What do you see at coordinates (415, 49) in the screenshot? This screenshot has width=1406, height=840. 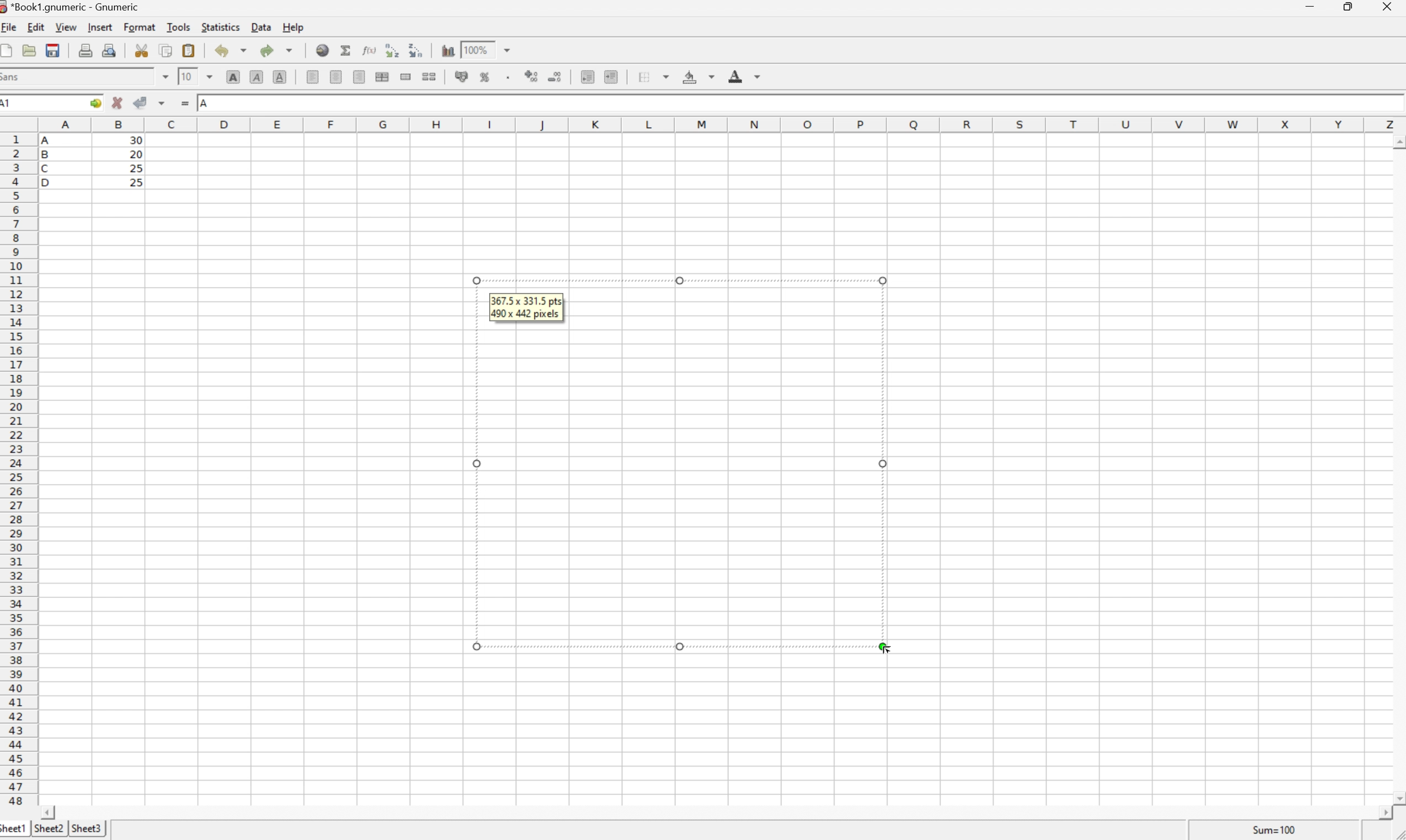 I see `Sort the selected region in descending order based on the first column selected` at bounding box center [415, 49].